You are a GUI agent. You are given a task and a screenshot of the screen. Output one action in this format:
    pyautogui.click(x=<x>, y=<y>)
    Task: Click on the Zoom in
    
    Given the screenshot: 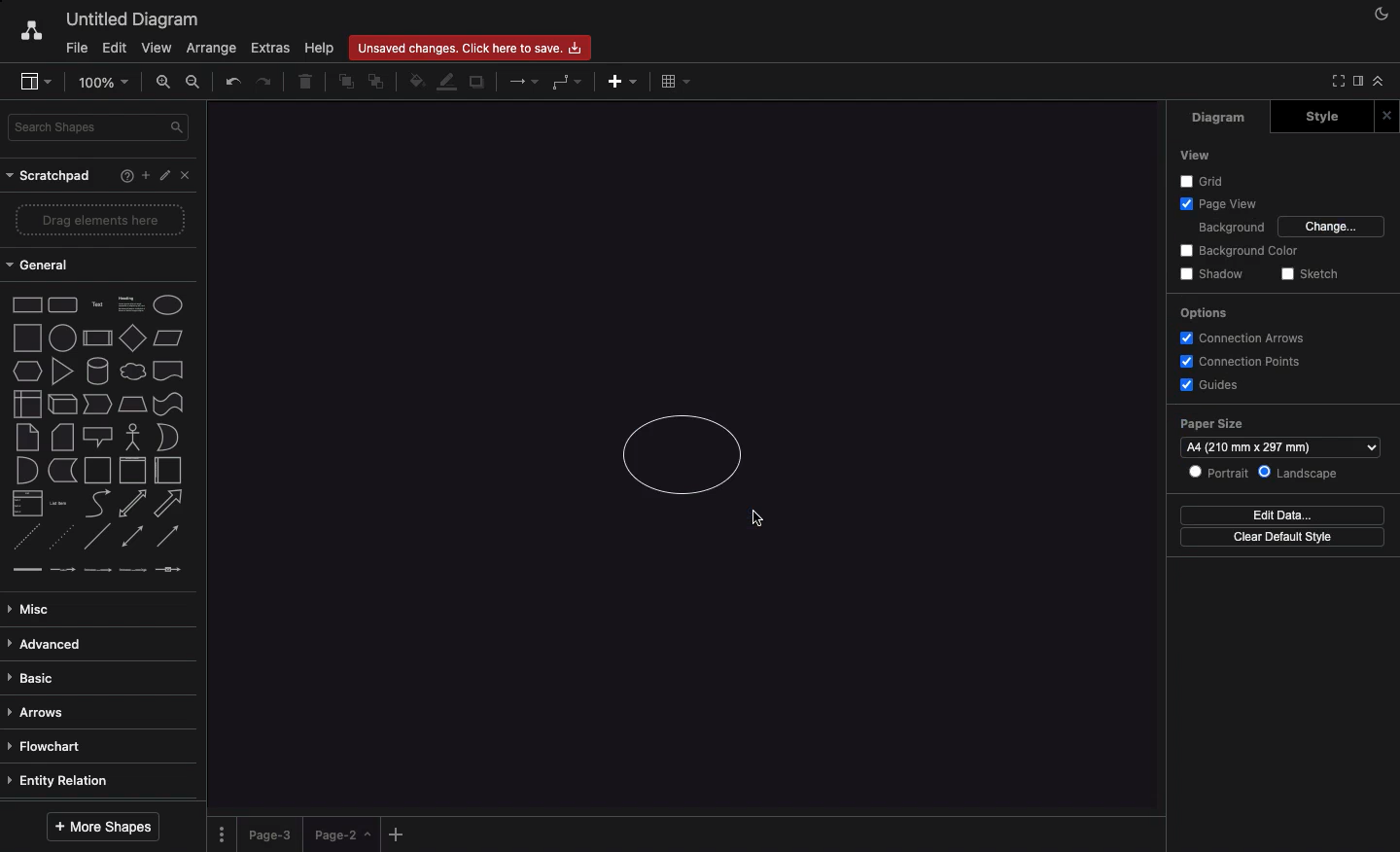 What is the action you would take?
    pyautogui.click(x=164, y=81)
    